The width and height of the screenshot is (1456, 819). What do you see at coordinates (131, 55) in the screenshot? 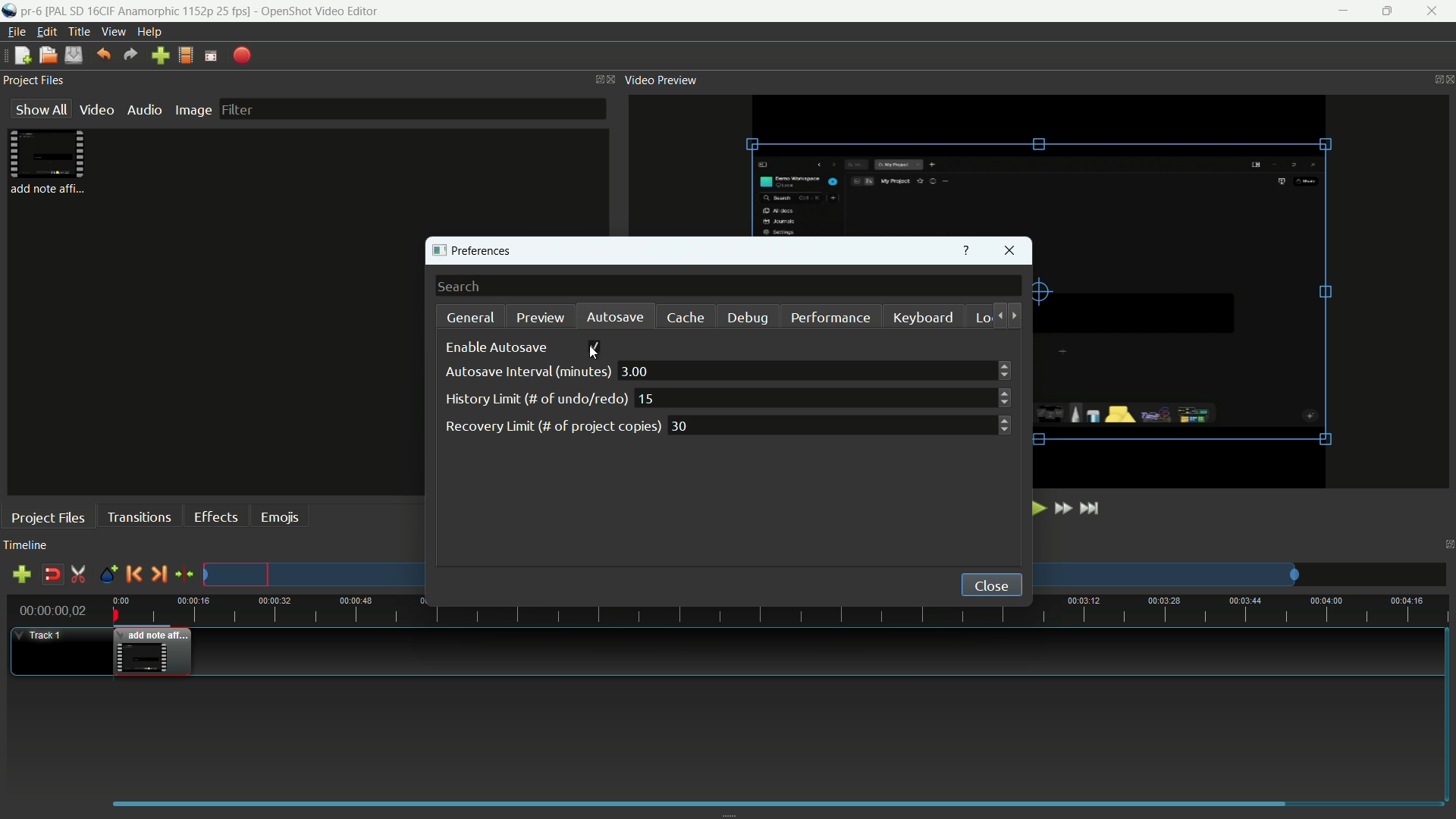
I see `redo` at bounding box center [131, 55].